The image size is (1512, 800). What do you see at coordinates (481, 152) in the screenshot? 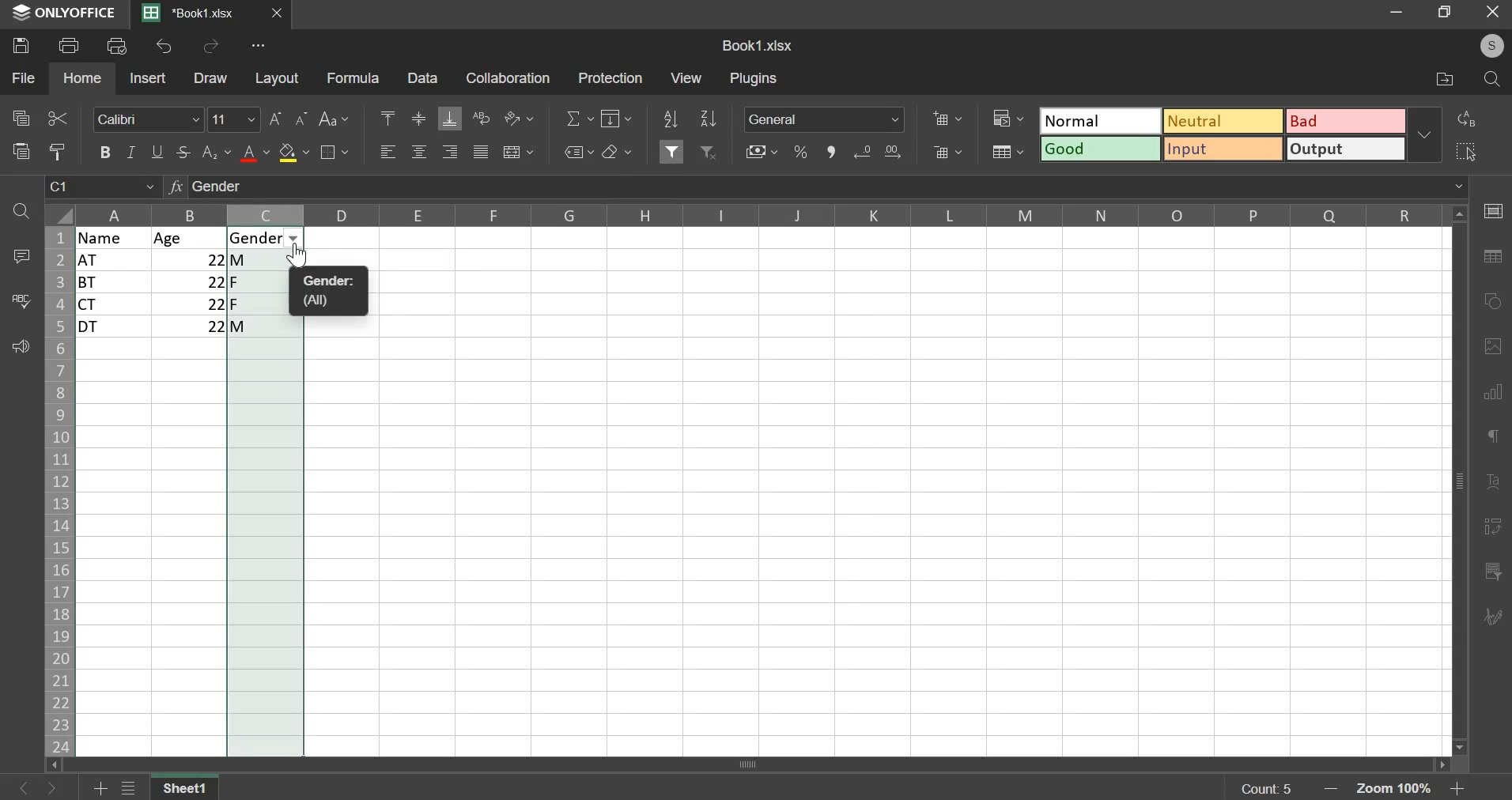
I see `justified` at bounding box center [481, 152].